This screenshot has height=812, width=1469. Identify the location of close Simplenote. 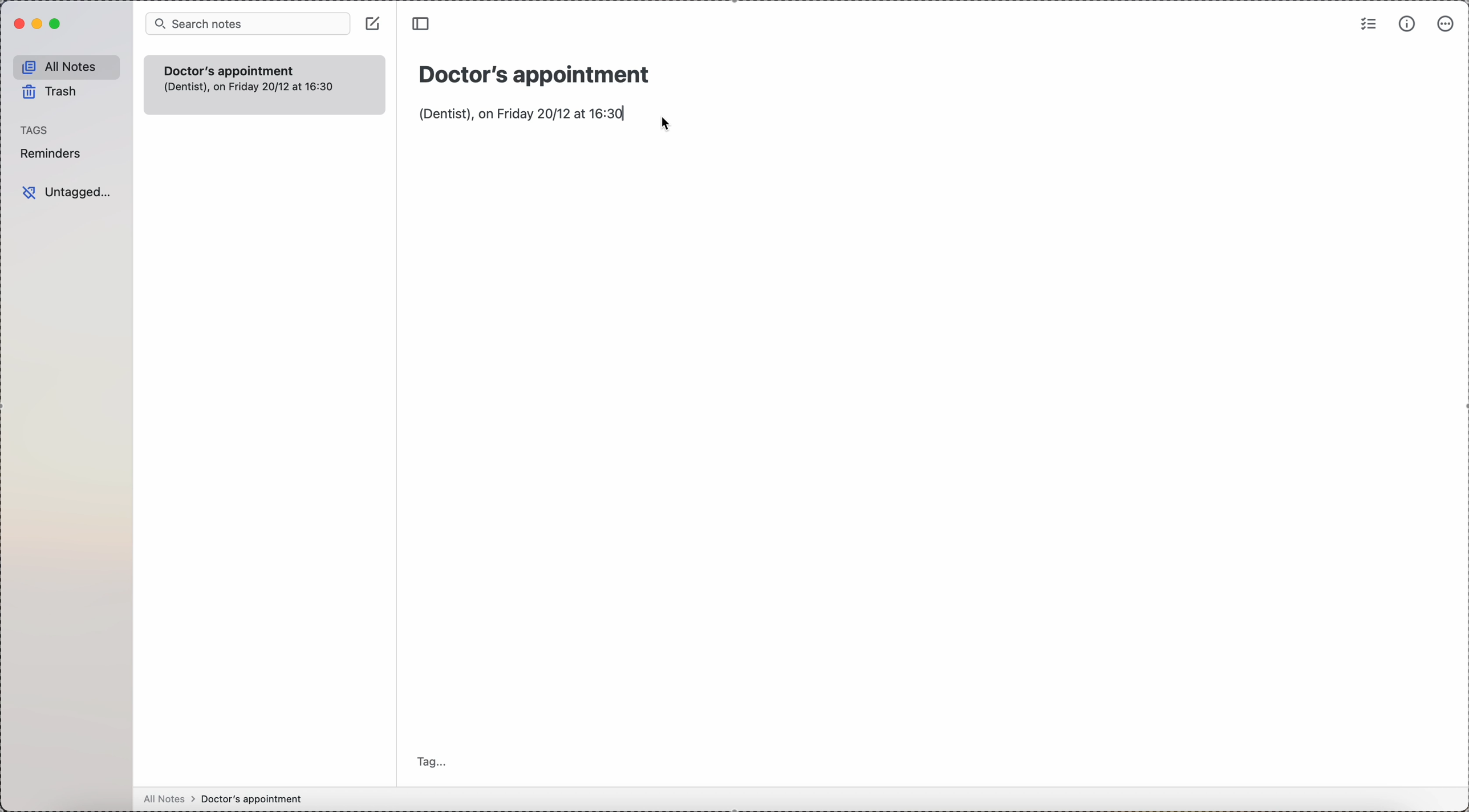
(15, 23).